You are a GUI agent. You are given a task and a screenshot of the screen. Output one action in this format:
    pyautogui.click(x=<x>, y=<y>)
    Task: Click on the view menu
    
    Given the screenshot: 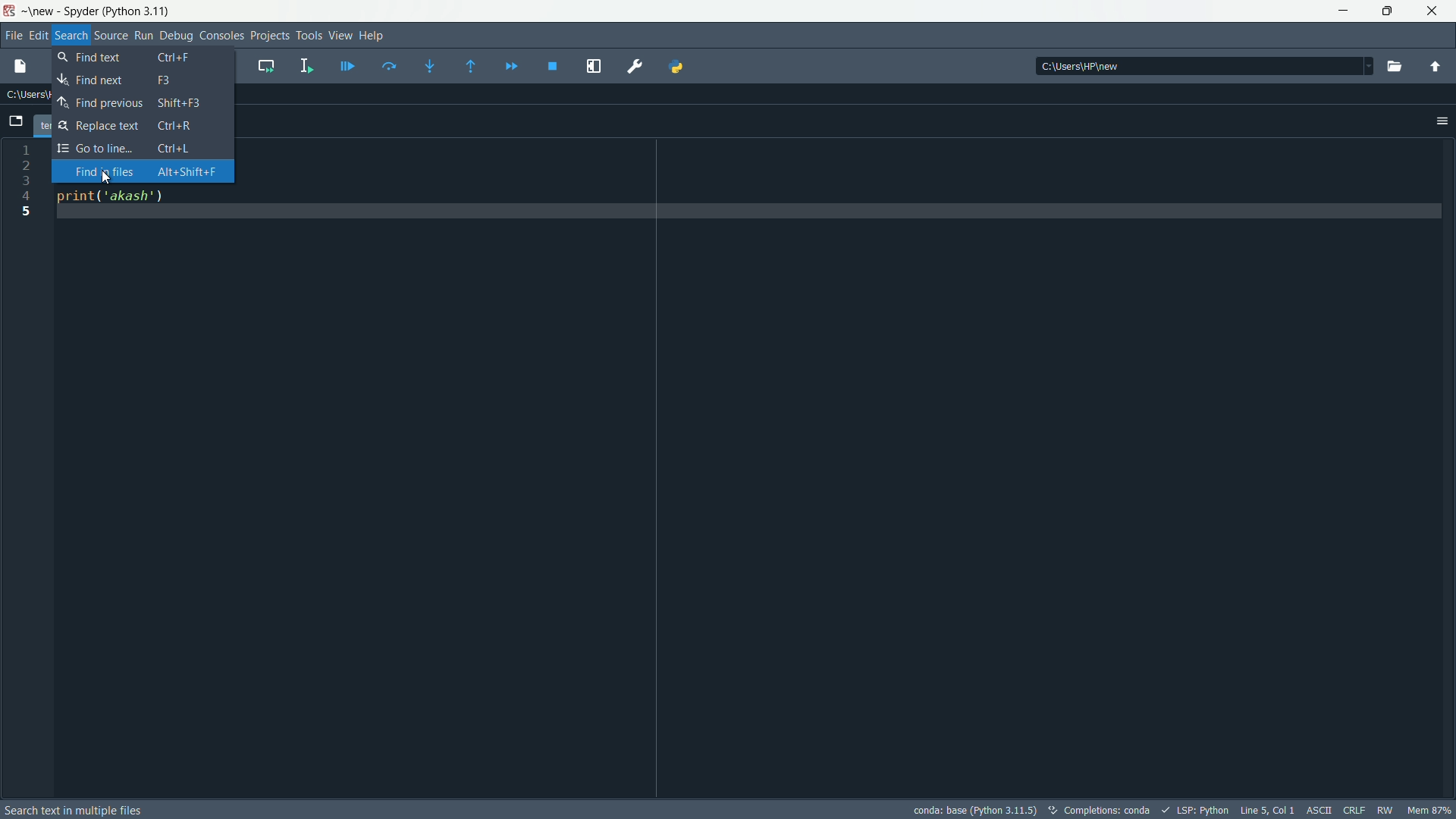 What is the action you would take?
    pyautogui.click(x=340, y=36)
    